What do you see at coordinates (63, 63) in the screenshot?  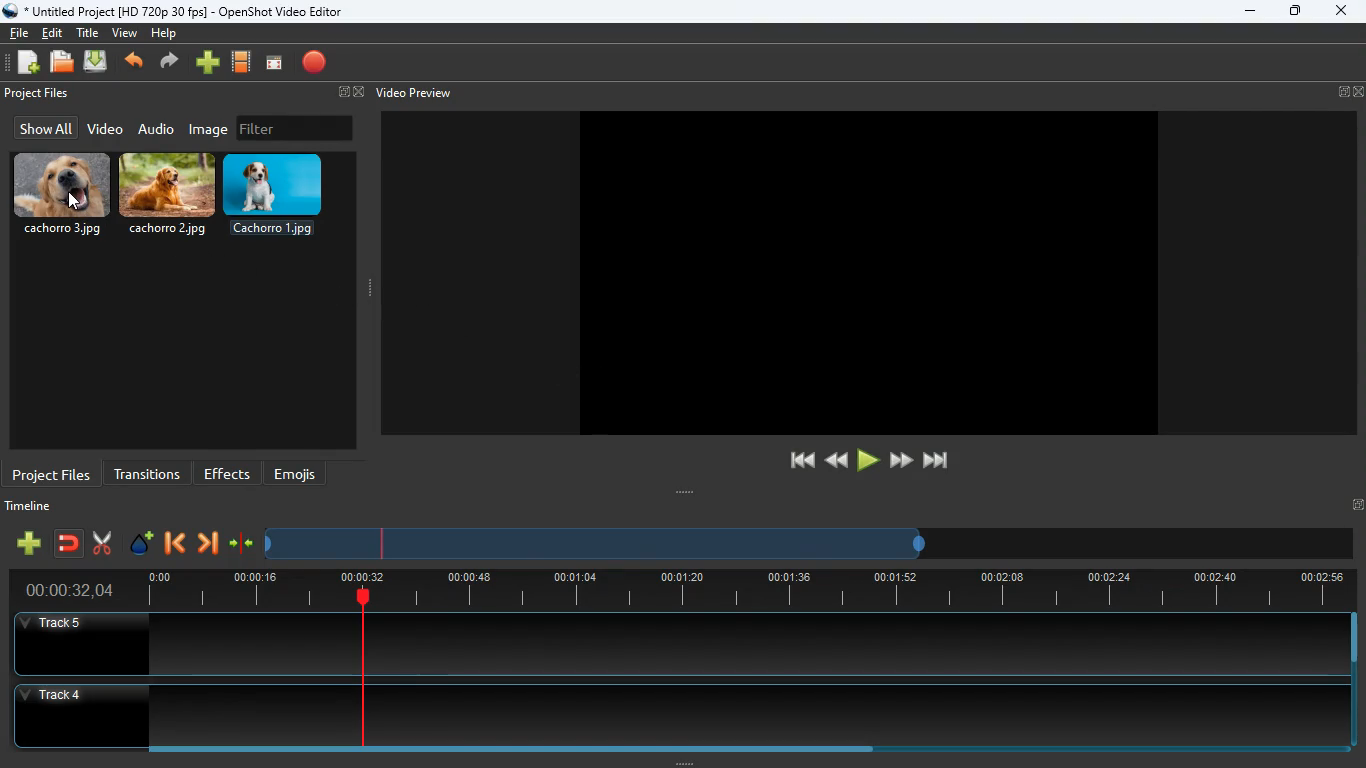 I see `files` at bounding box center [63, 63].